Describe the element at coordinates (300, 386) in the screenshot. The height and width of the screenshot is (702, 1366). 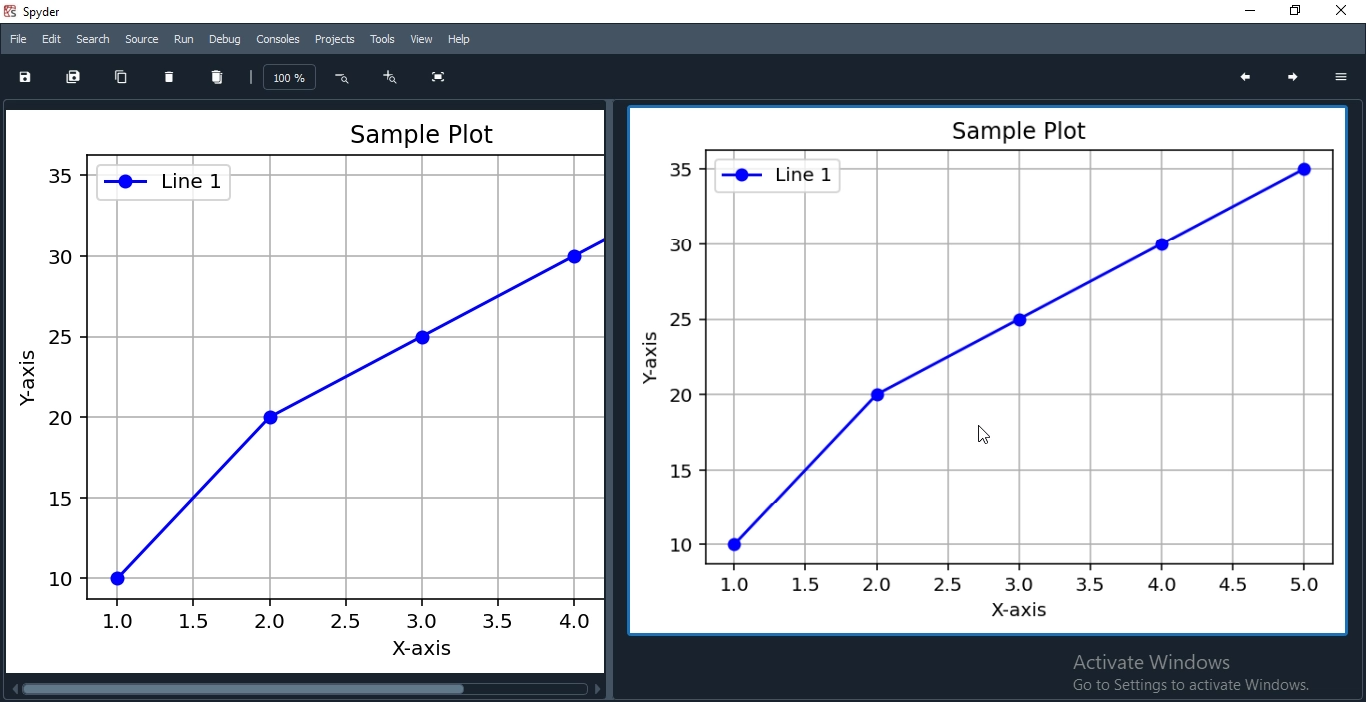
I see `` at that location.